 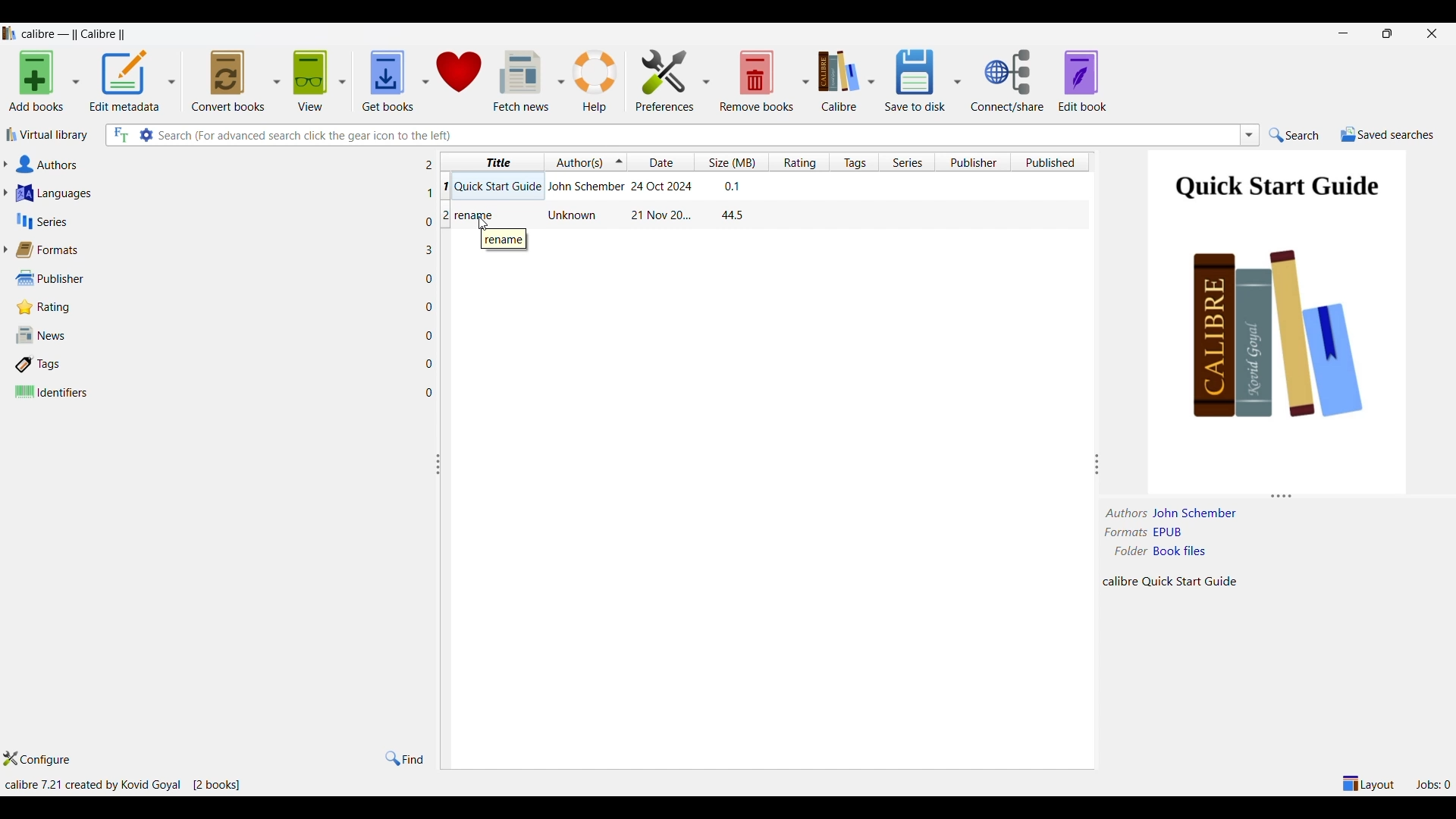 I want to click on Description of current selection, so click(x=1175, y=583).